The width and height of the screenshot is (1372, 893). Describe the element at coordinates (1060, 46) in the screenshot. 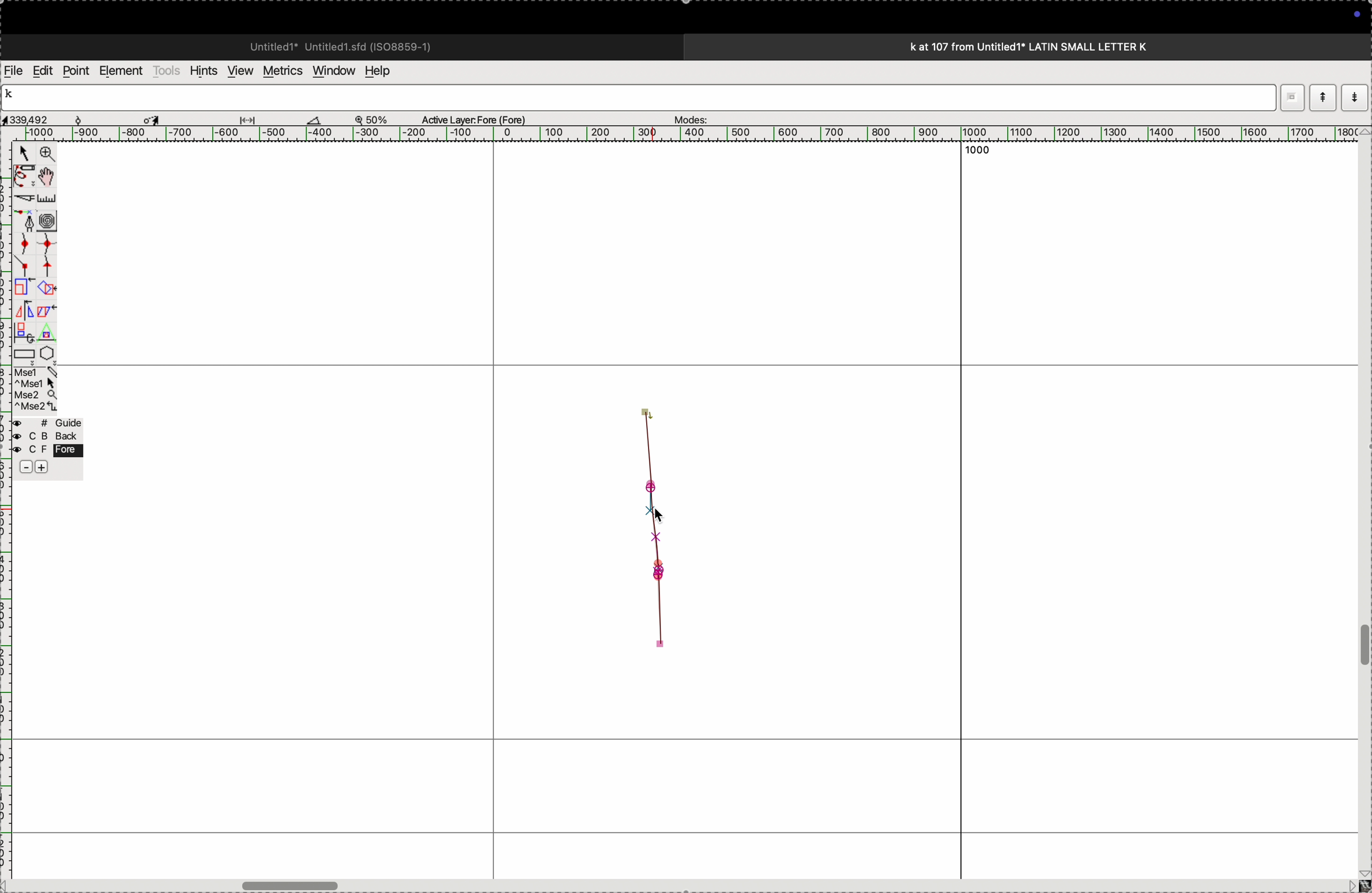

I see `title` at that location.